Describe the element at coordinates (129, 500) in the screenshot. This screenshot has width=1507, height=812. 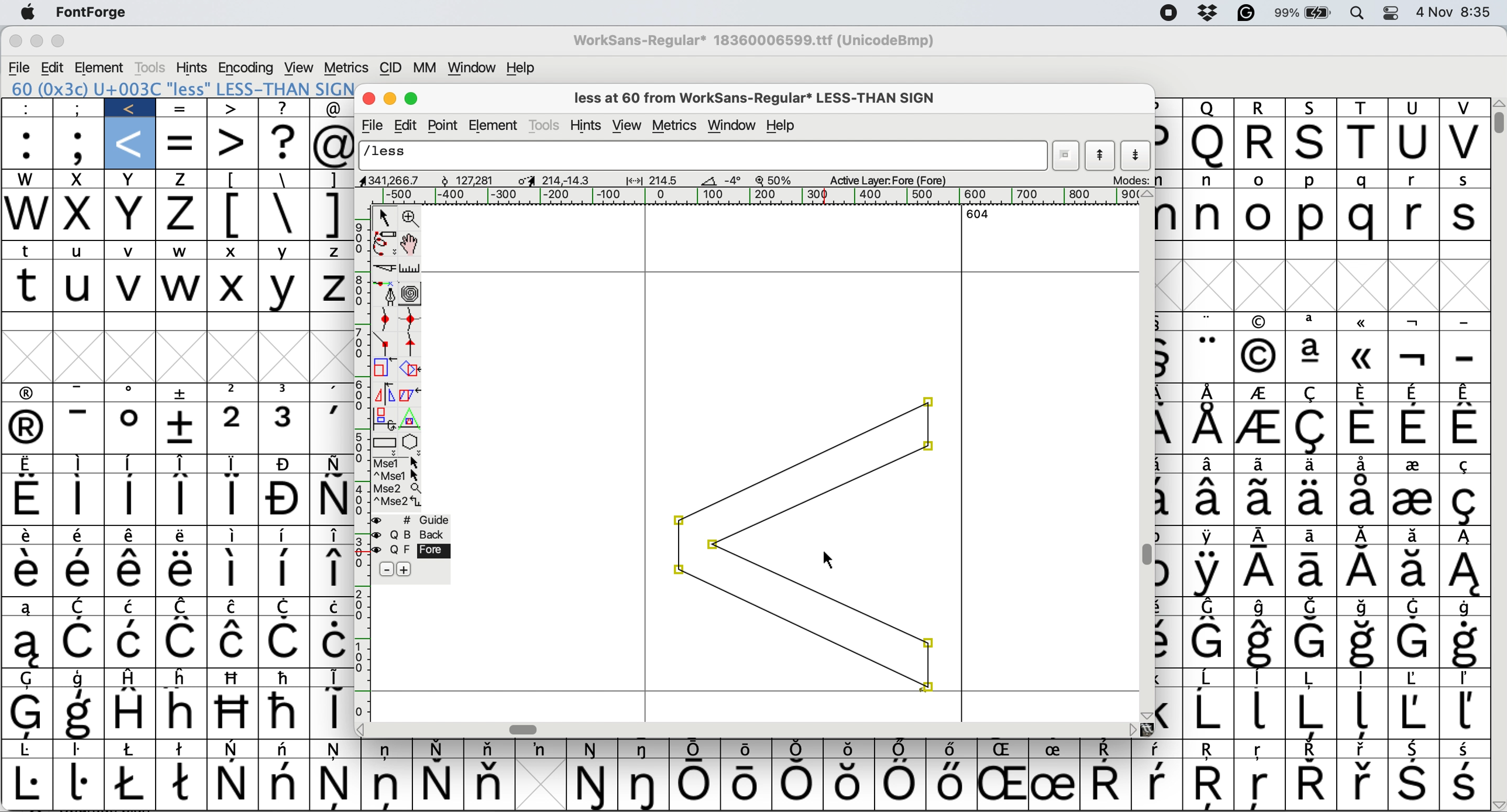
I see `Symbol` at that location.